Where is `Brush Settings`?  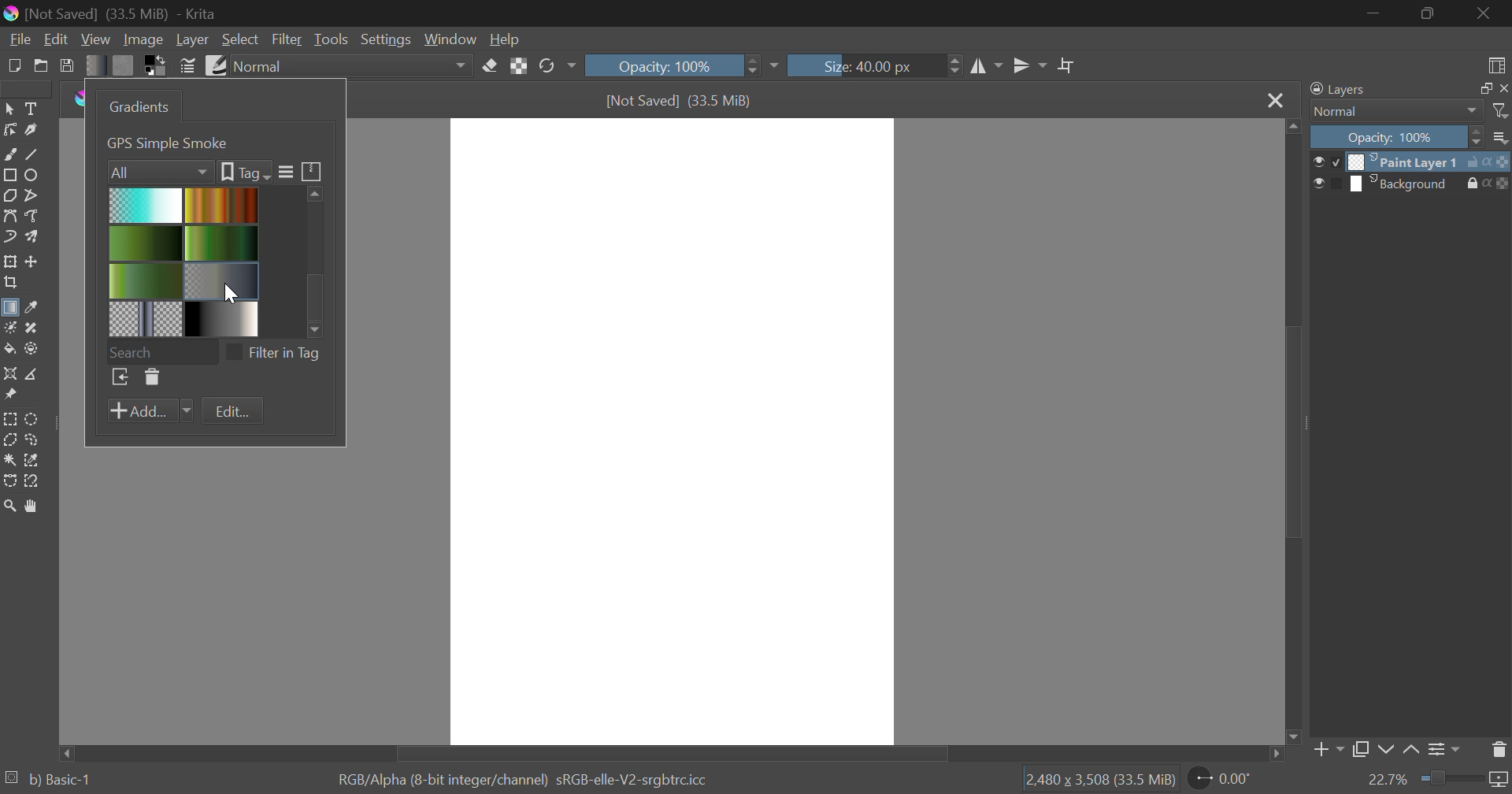
Brush Settings is located at coordinates (187, 65).